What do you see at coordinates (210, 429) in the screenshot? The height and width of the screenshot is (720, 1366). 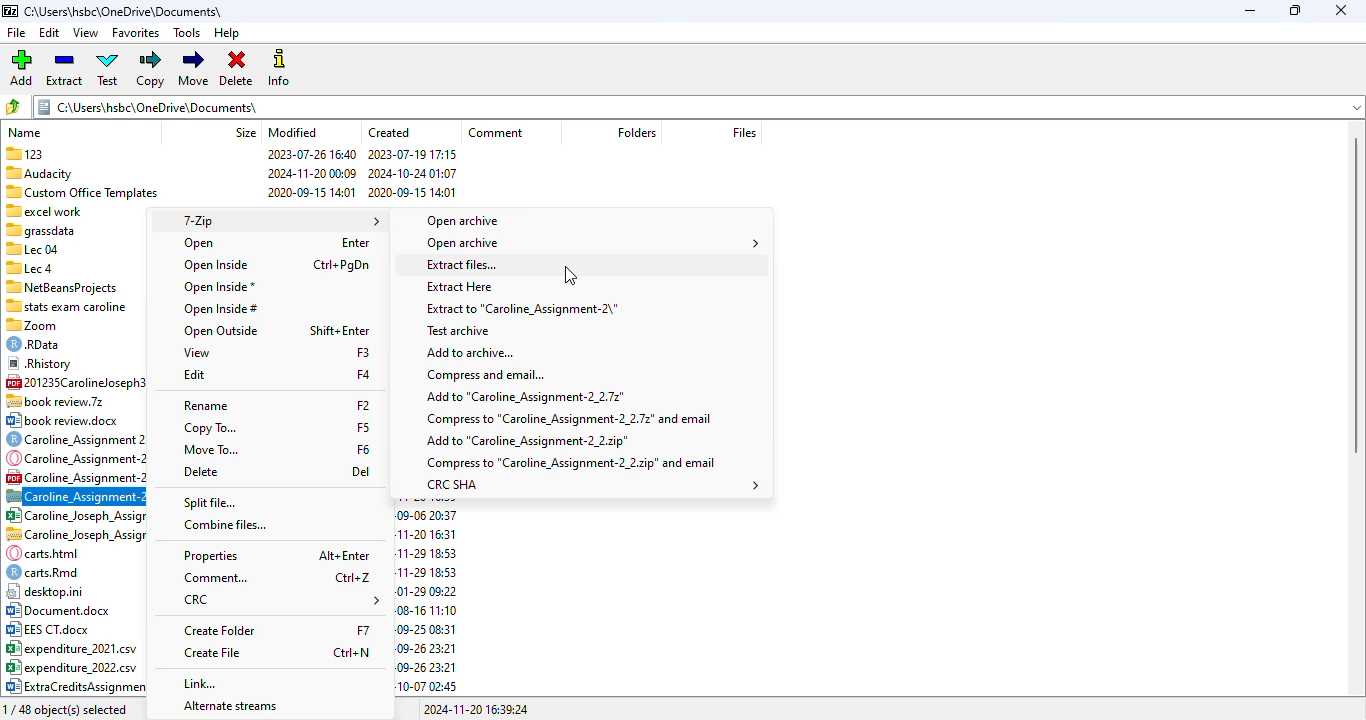 I see `copy to` at bounding box center [210, 429].